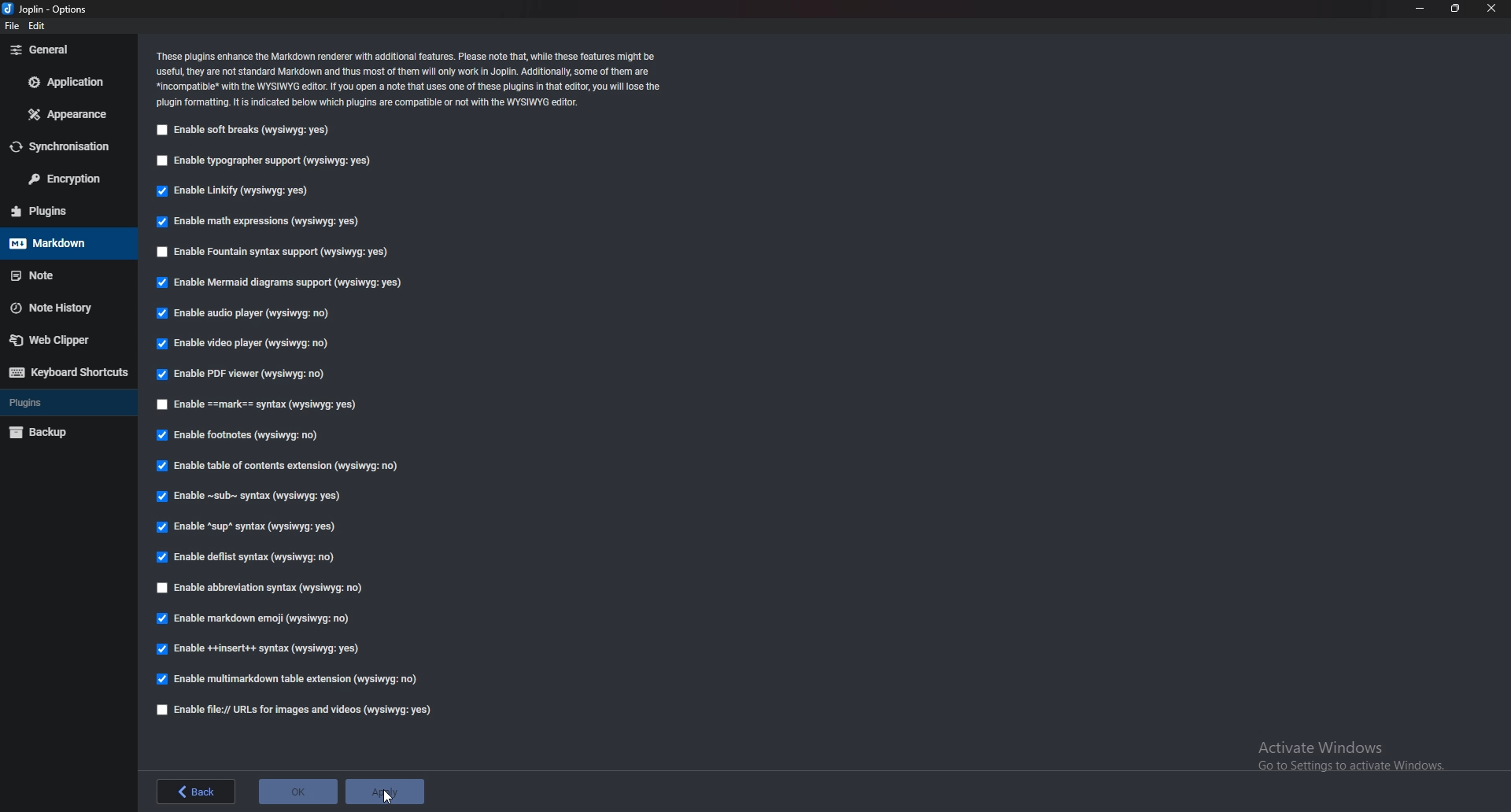 The height and width of the screenshot is (812, 1511). I want to click on Encryption, so click(67, 180).